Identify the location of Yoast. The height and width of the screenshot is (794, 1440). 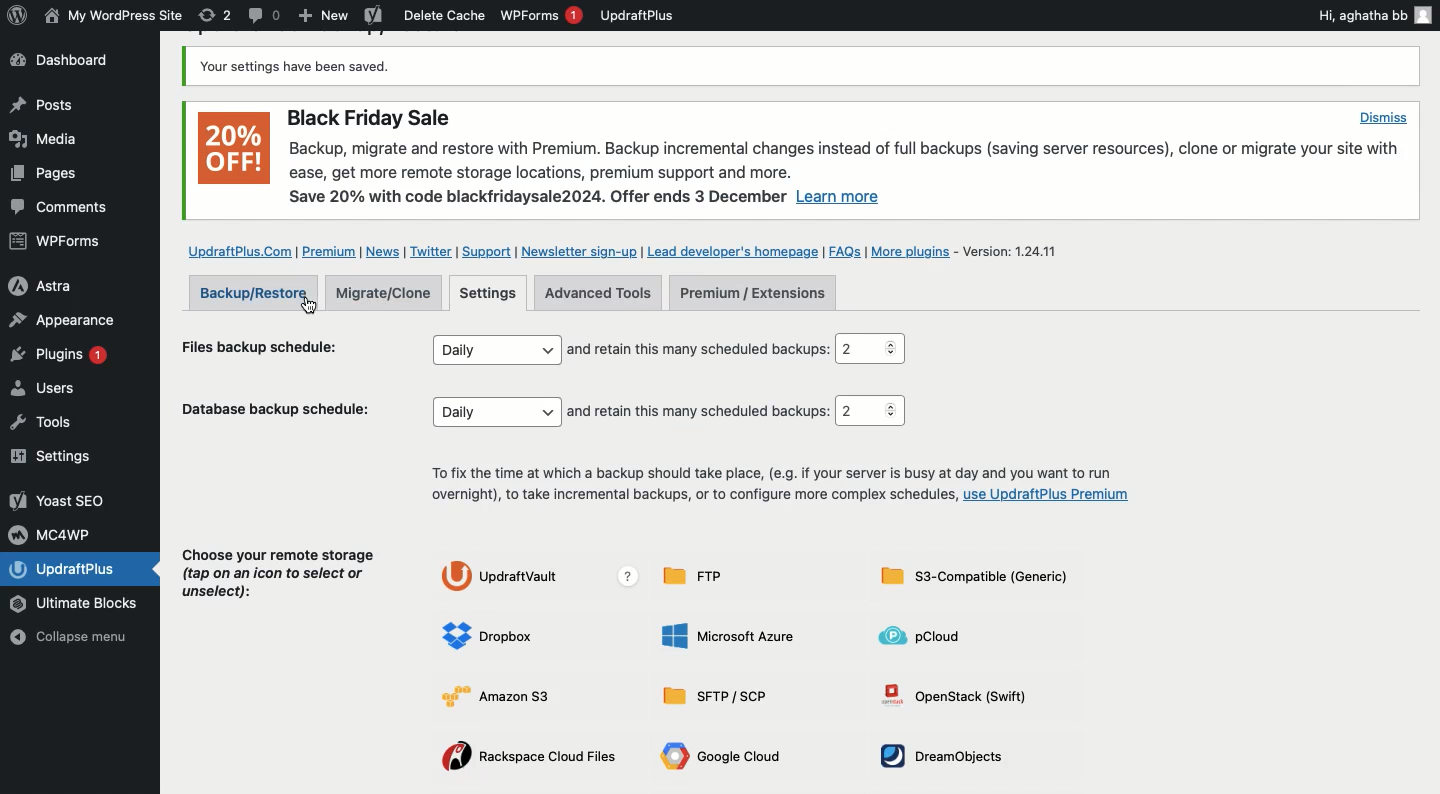
(372, 17).